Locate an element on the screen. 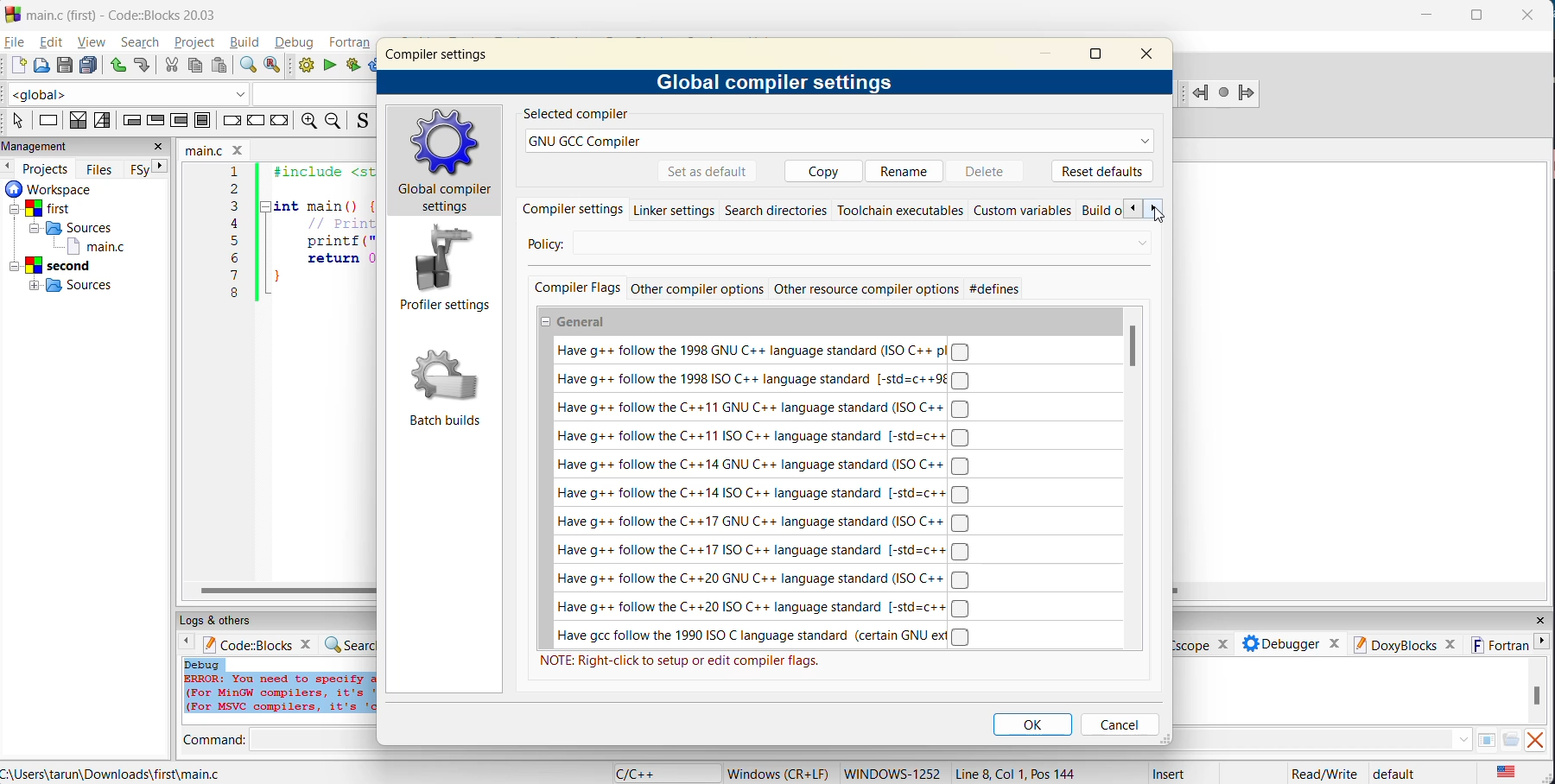 Image resolution: width=1555 pixels, height=784 pixels. continue instruction is located at coordinates (254, 121).